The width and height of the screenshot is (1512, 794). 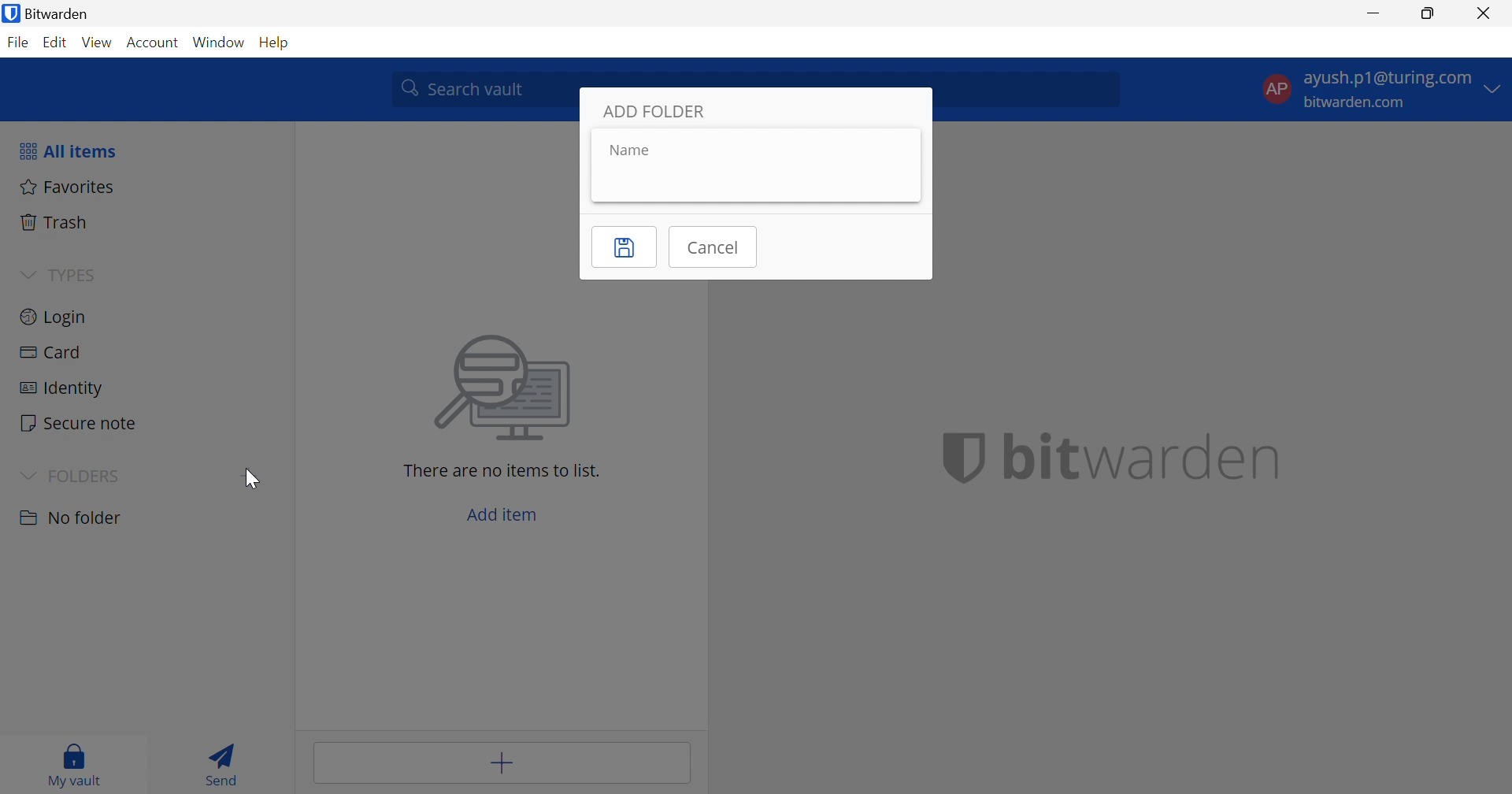 What do you see at coordinates (655, 111) in the screenshot?
I see `ADD FOLDER` at bounding box center [655, 111].